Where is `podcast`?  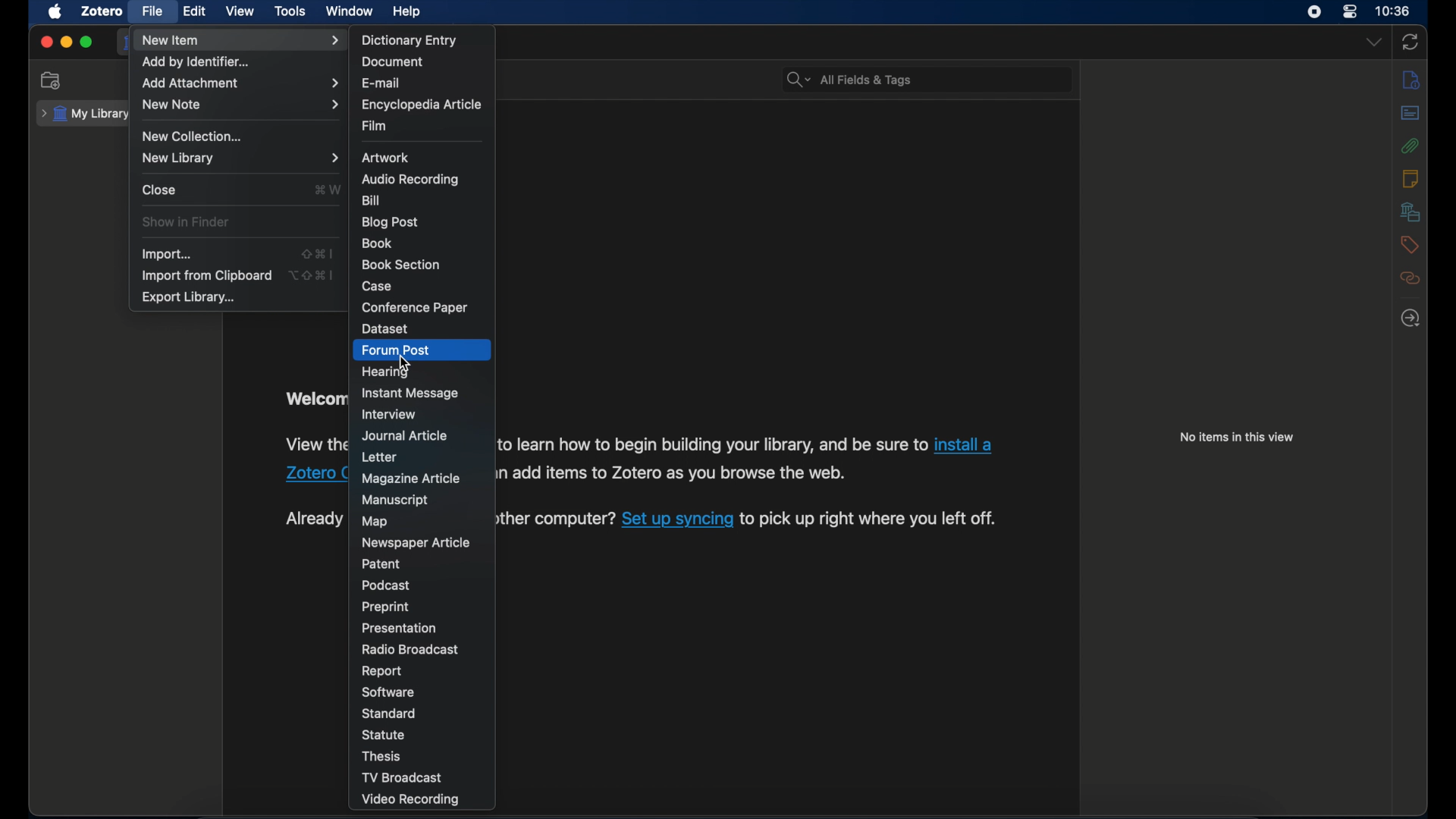
podcast is located at coordinates (386, 585).